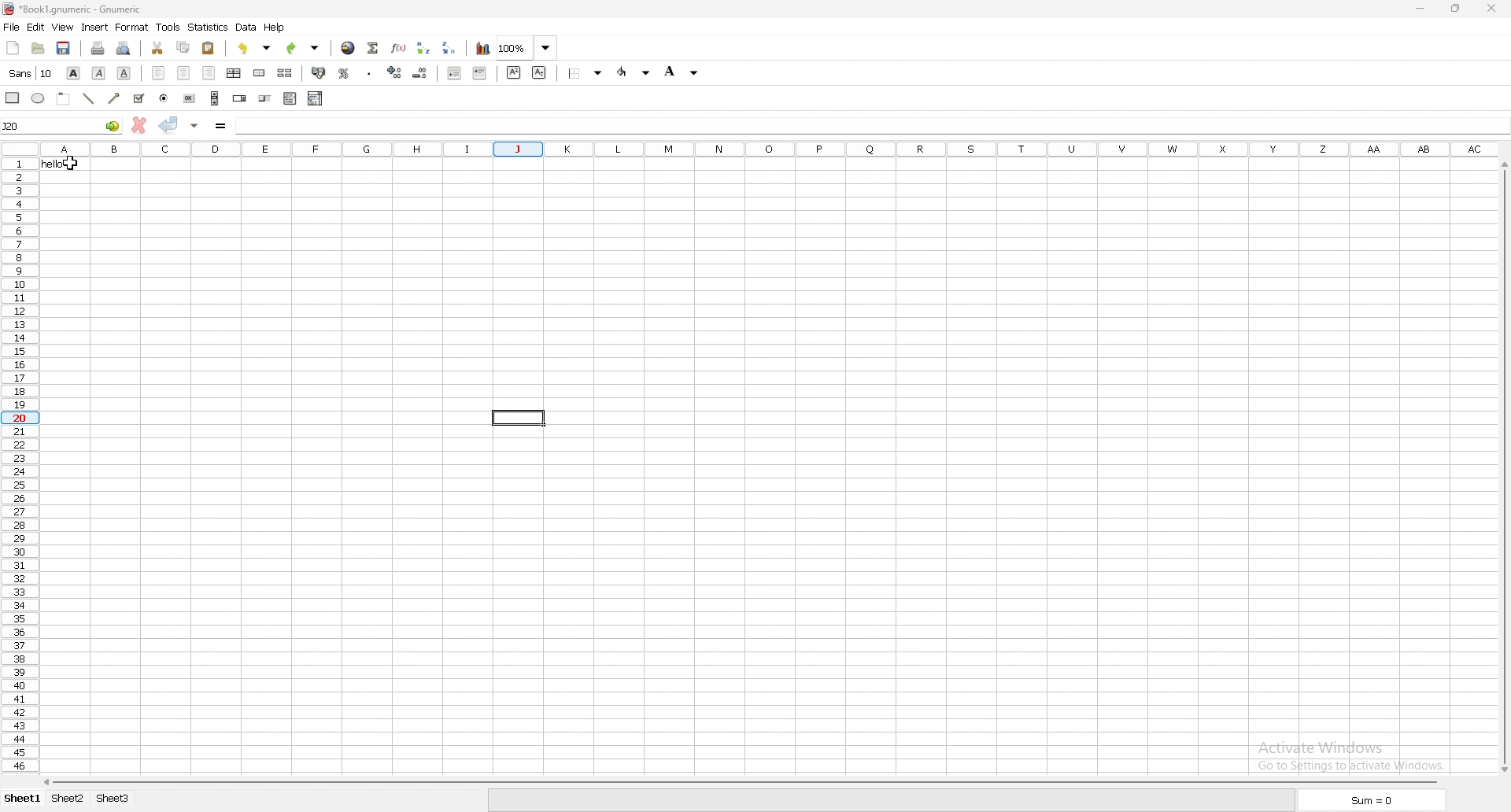 The image size is (1511, 812). I want to click on center horizontally, so click(235, 72).